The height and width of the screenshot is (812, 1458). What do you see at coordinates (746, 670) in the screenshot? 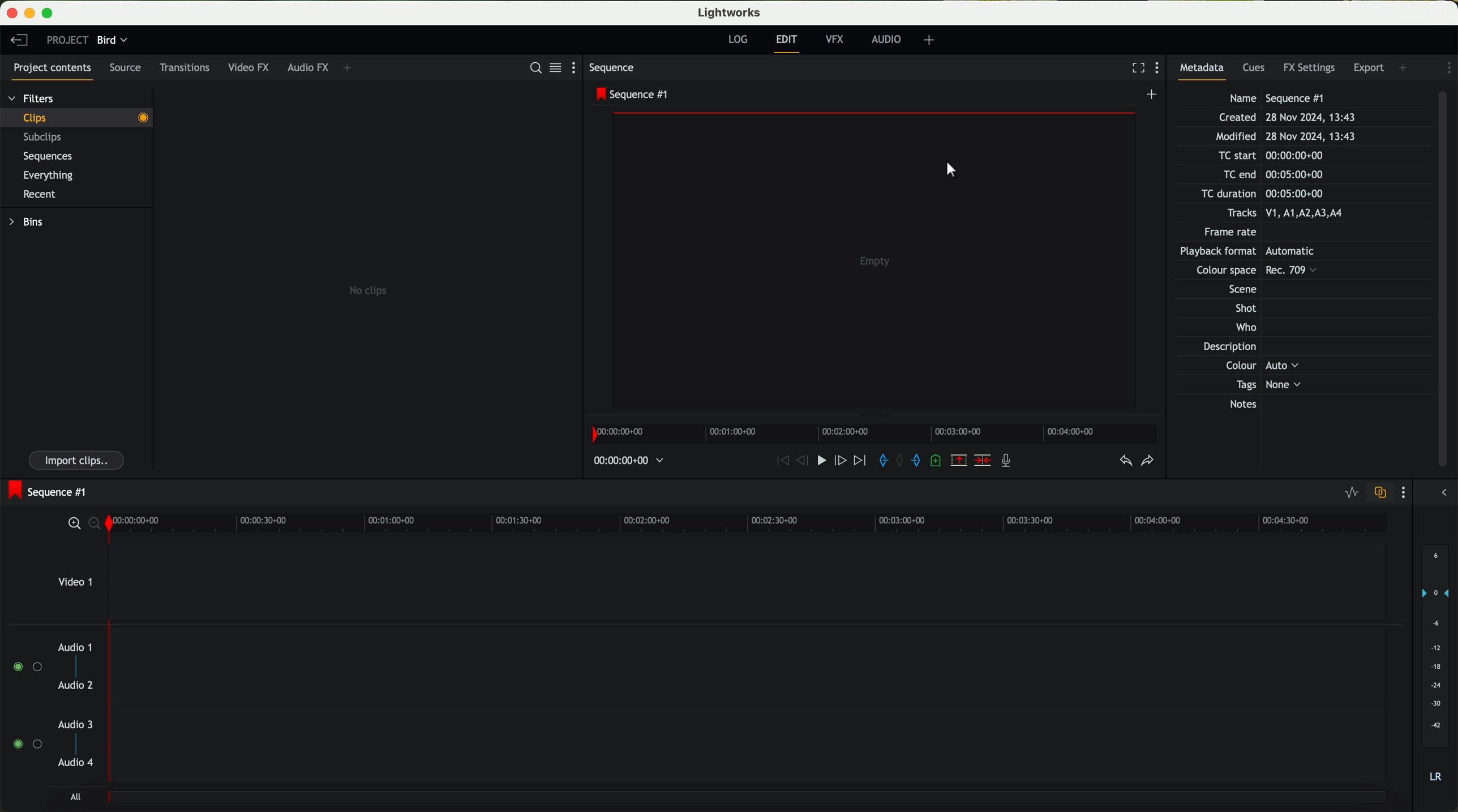
I see `audio track` at bounding box center [746, 670].